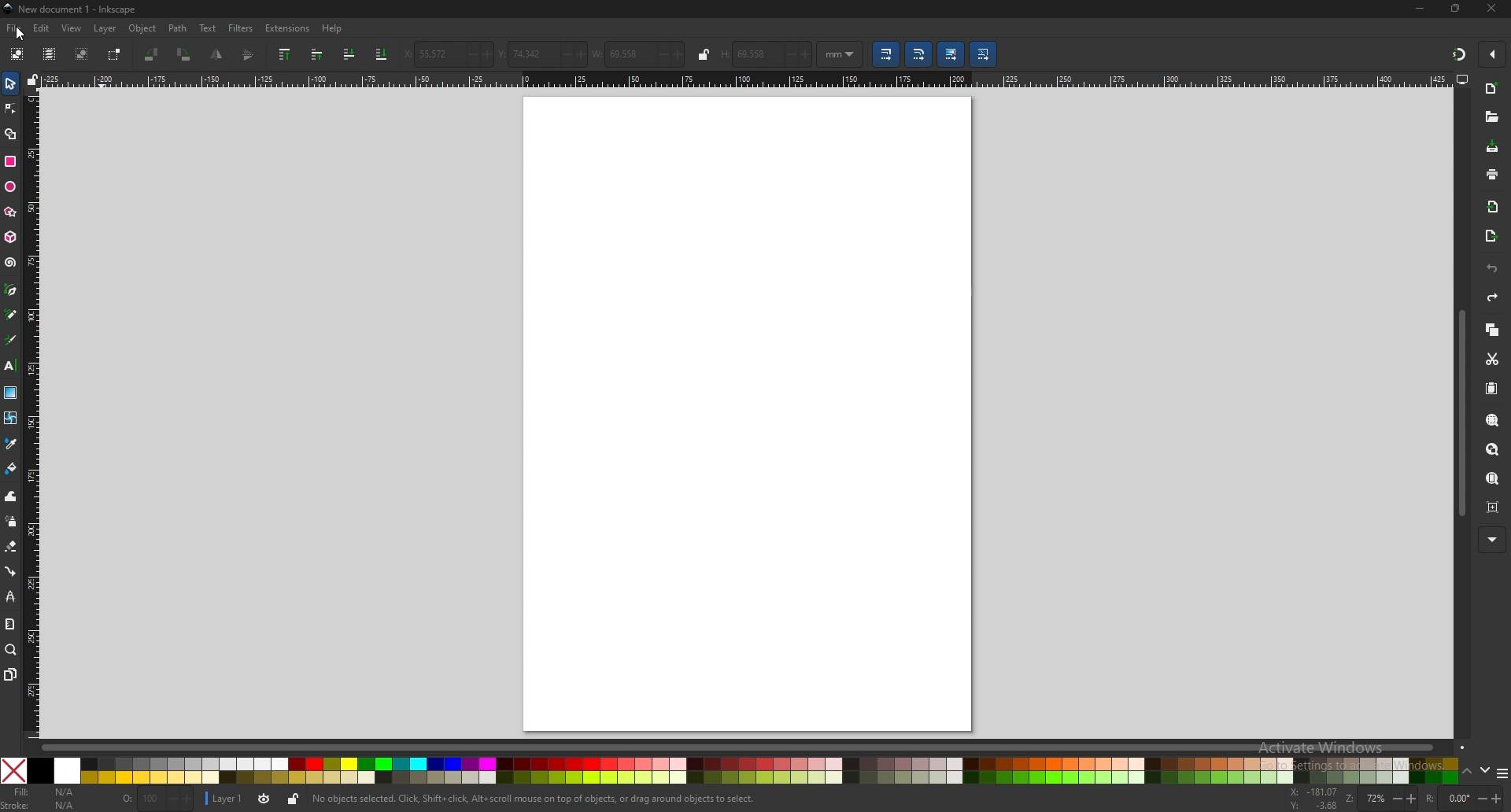 Image resolution: width=1511 pixels, height=812 pixels. What do you see at coordinates (31, 412) in the screenshot?
I see `vertical ruler` at bounding box center [31, 412].